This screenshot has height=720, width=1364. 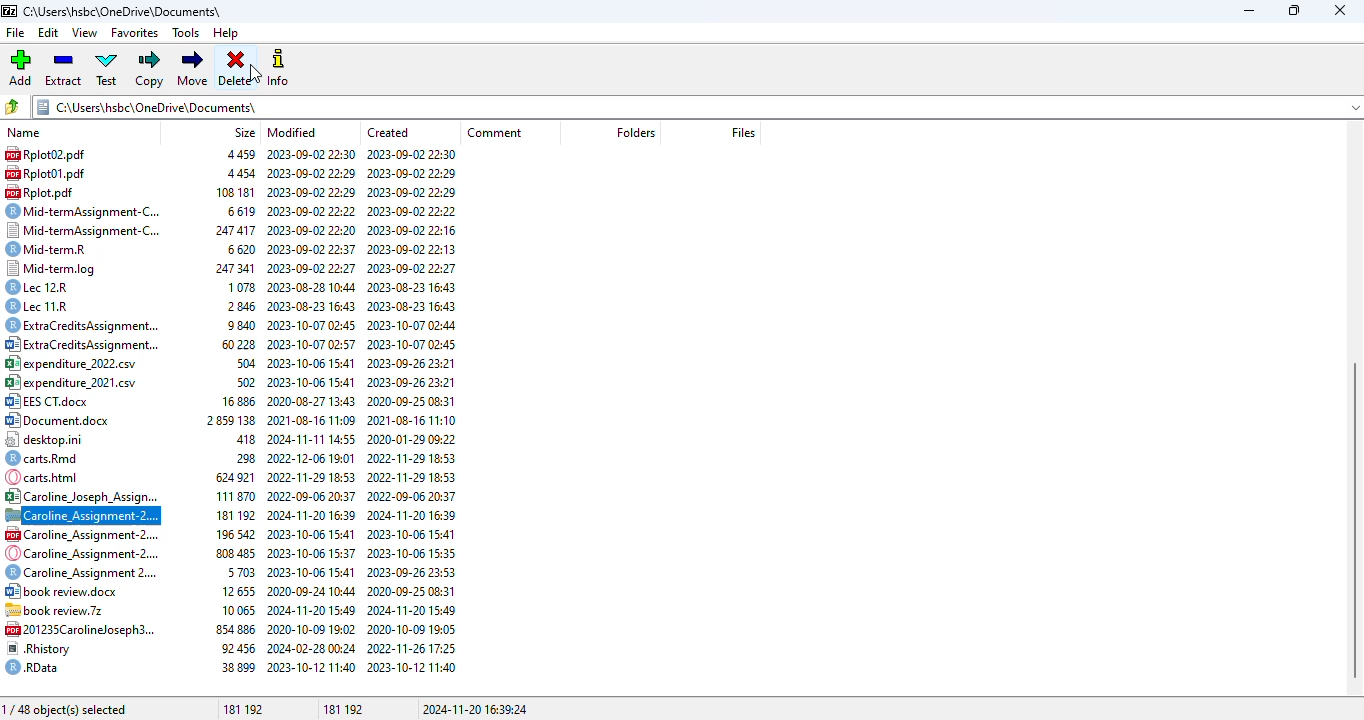 What do you see at coordinates (313, 382) in the screenshot?
I see `2023-10-06 15:41` at bounding box center [313, 382].